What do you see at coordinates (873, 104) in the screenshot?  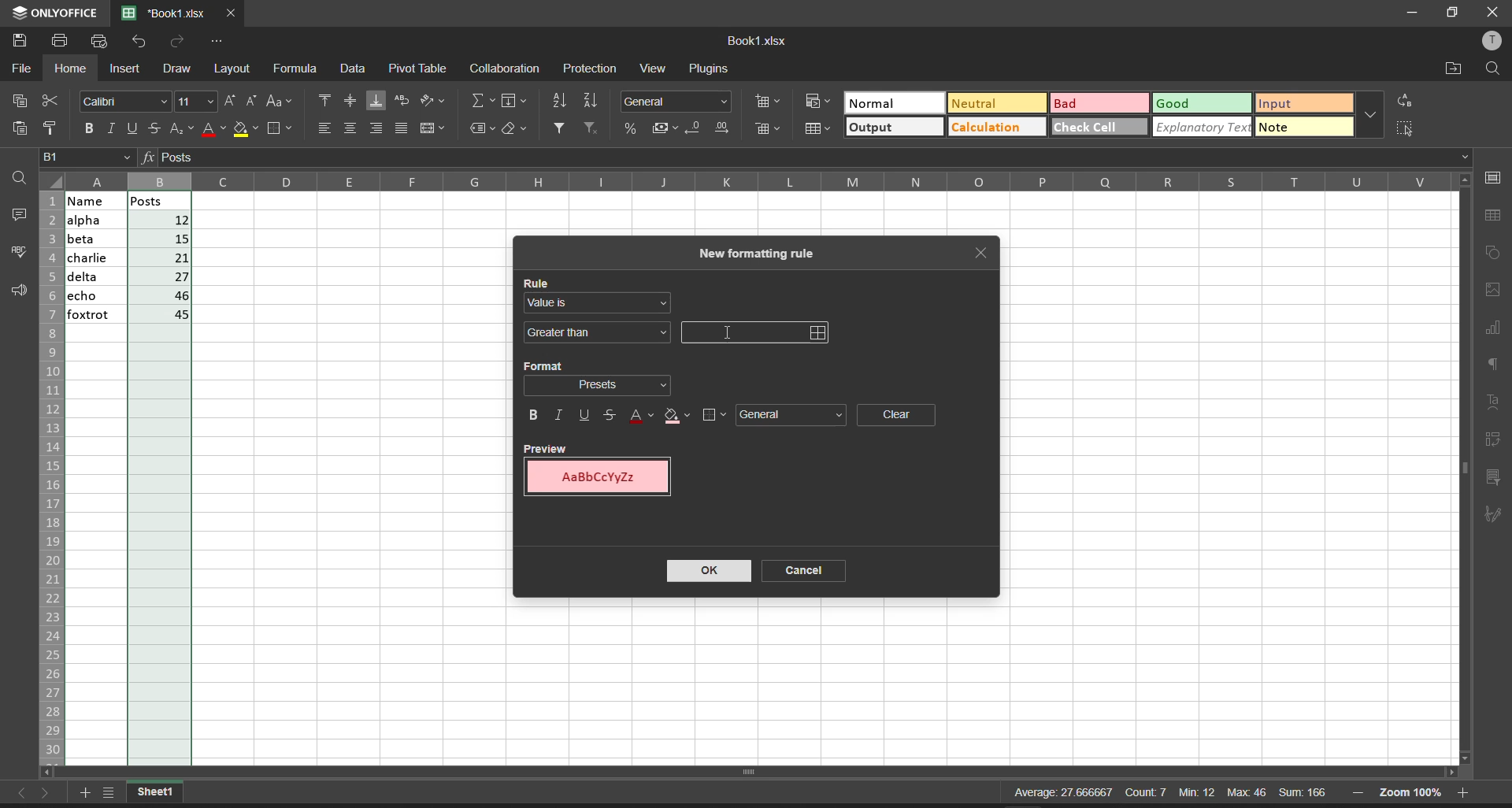 I see `Normal` at bounding box center [873, 104].